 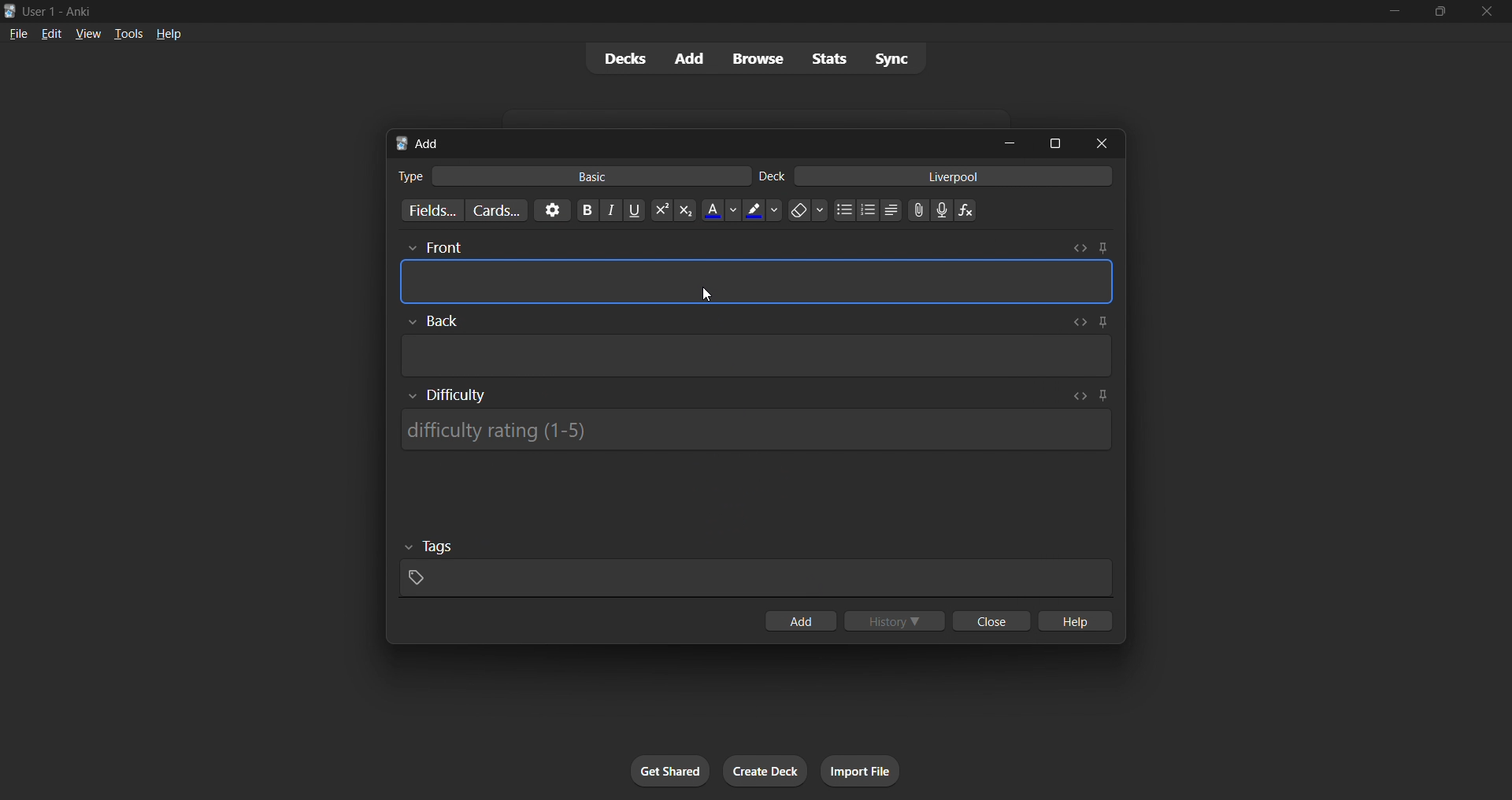 What do you see at coordinates (828, 58) in the screenshot?
I see `stats` at bounding box center [828, 58].